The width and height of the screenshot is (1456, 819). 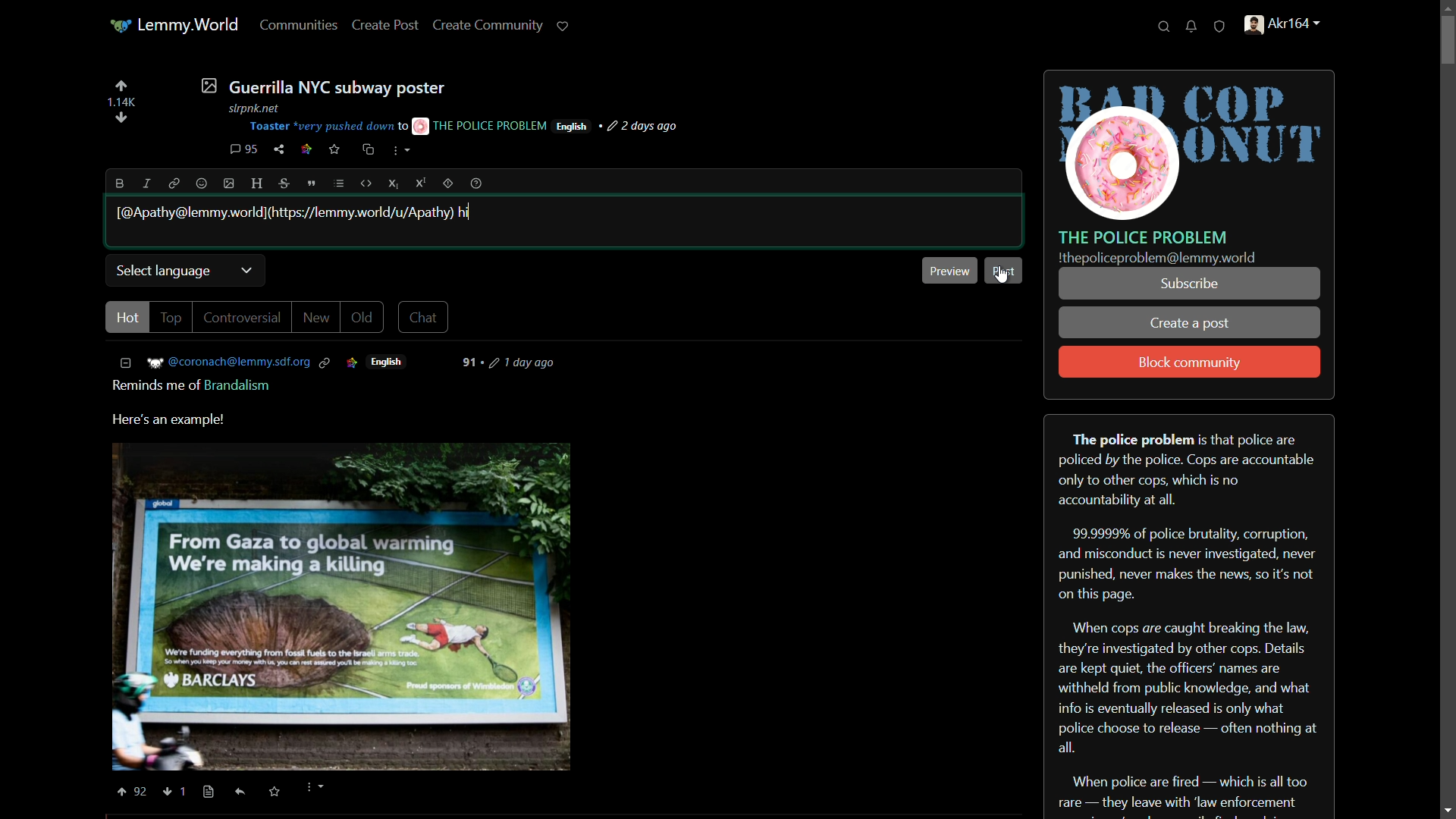 What do you see at coordinates (134, 792) in the screenshot?
I see `UPVOTE 92` at bounding box center [134, 792].